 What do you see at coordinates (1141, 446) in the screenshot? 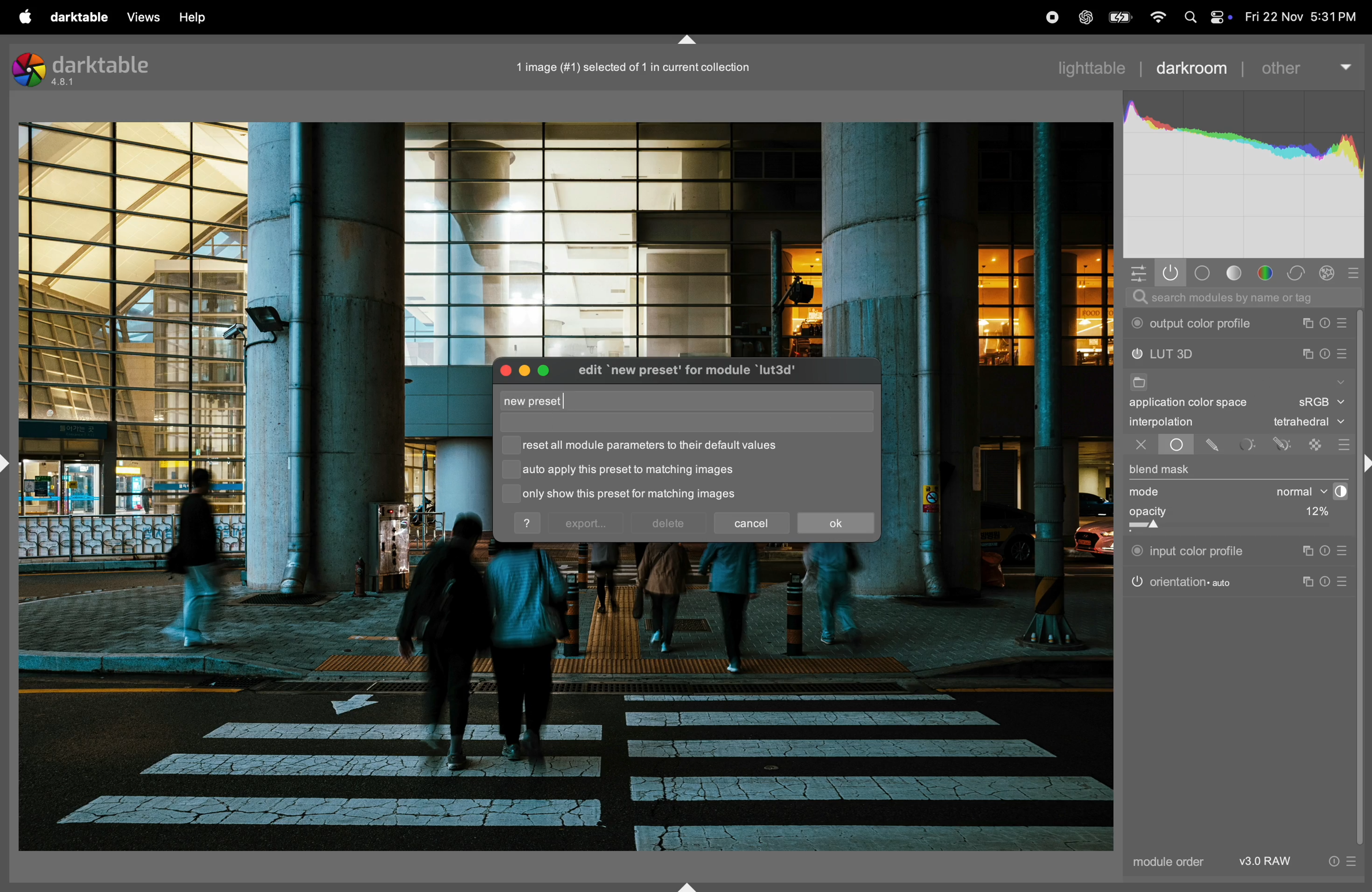
I see `off` at bounding box center [1141, 446].